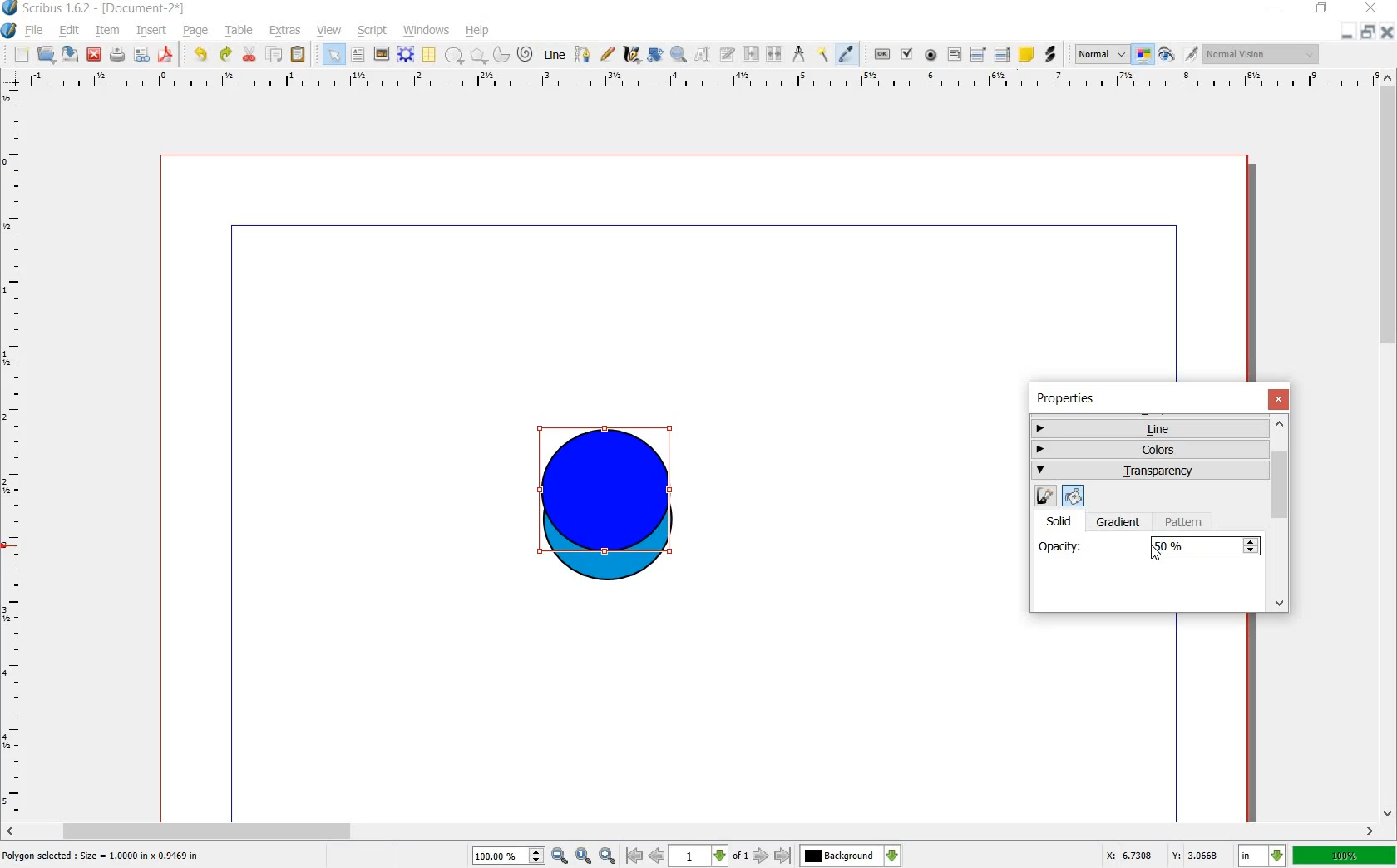 This screenshot has height=868, width=1397. What do you see at coordinates (698, 856) in the screenshot?
I see `1` at bounding box center [698, 856].